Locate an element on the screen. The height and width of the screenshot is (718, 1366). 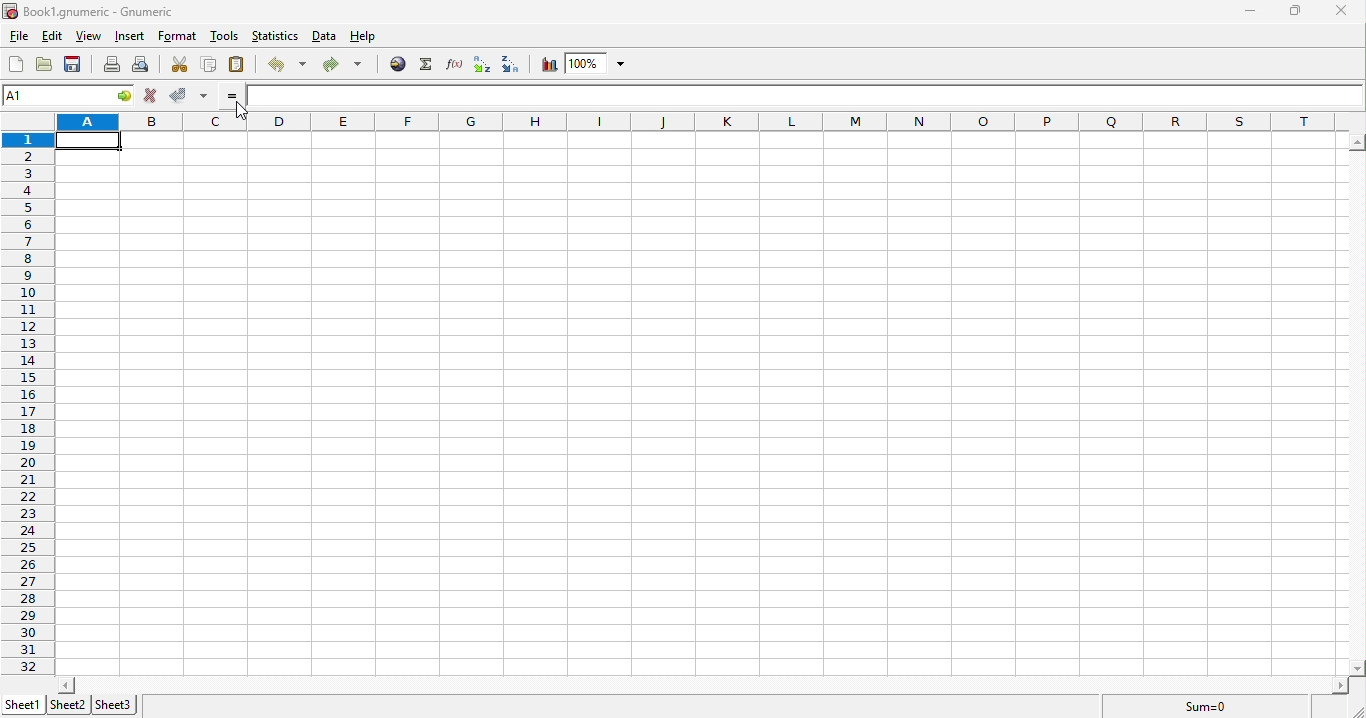
cell options is located at coordinates (125, 95).